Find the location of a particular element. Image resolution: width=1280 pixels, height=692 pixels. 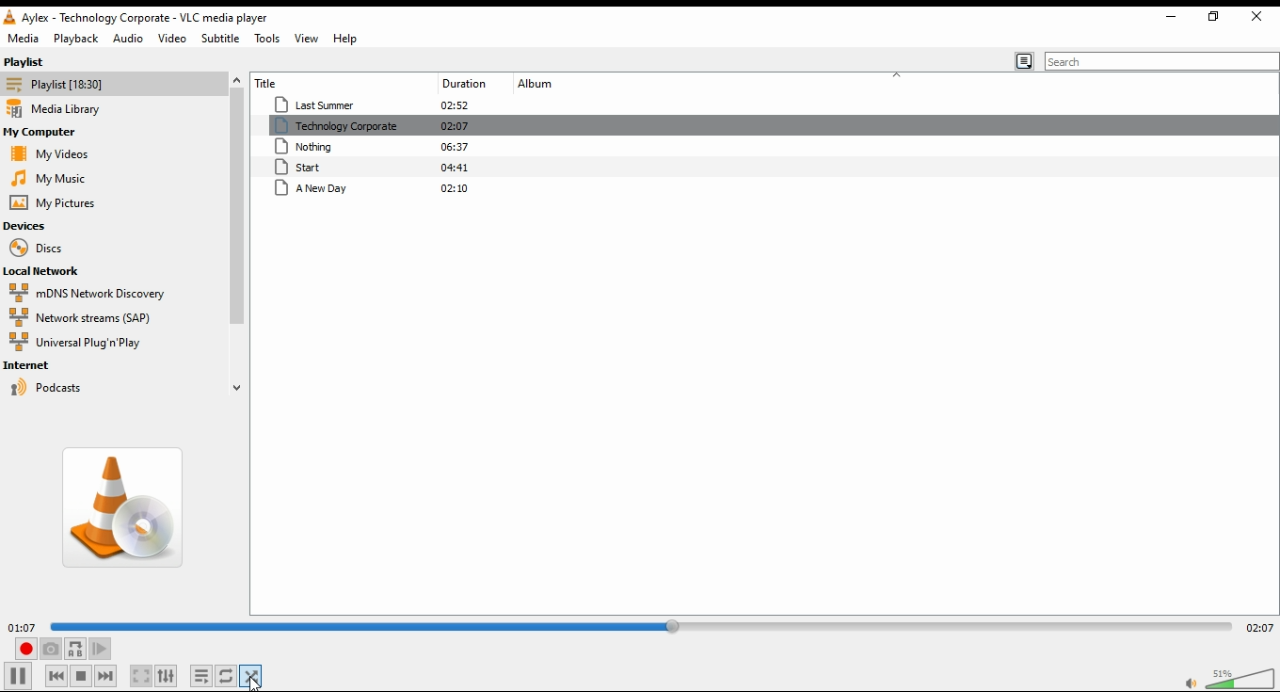

my music is located at coordinates (50, 176).